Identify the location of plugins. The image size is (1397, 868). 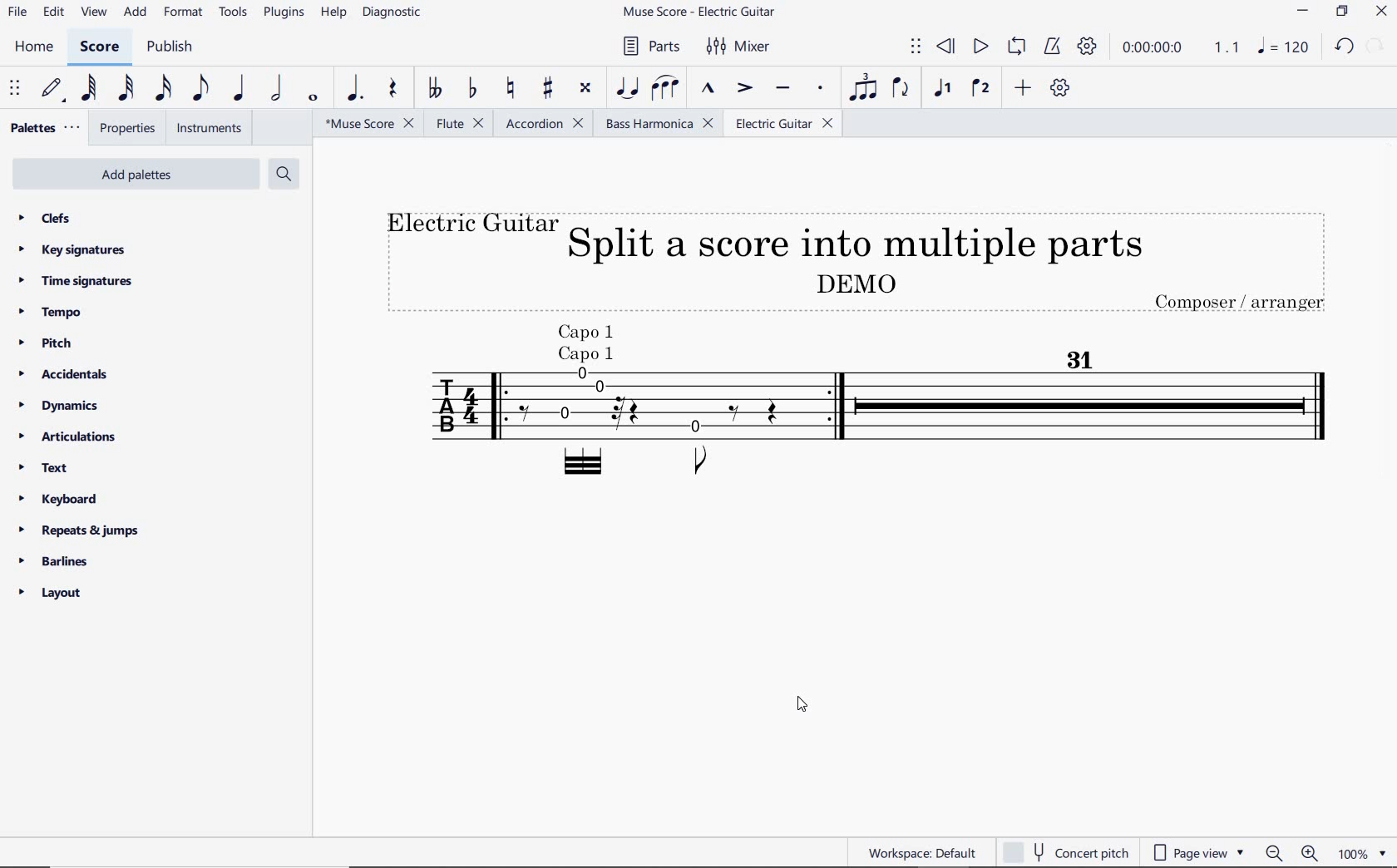
(282, 13).